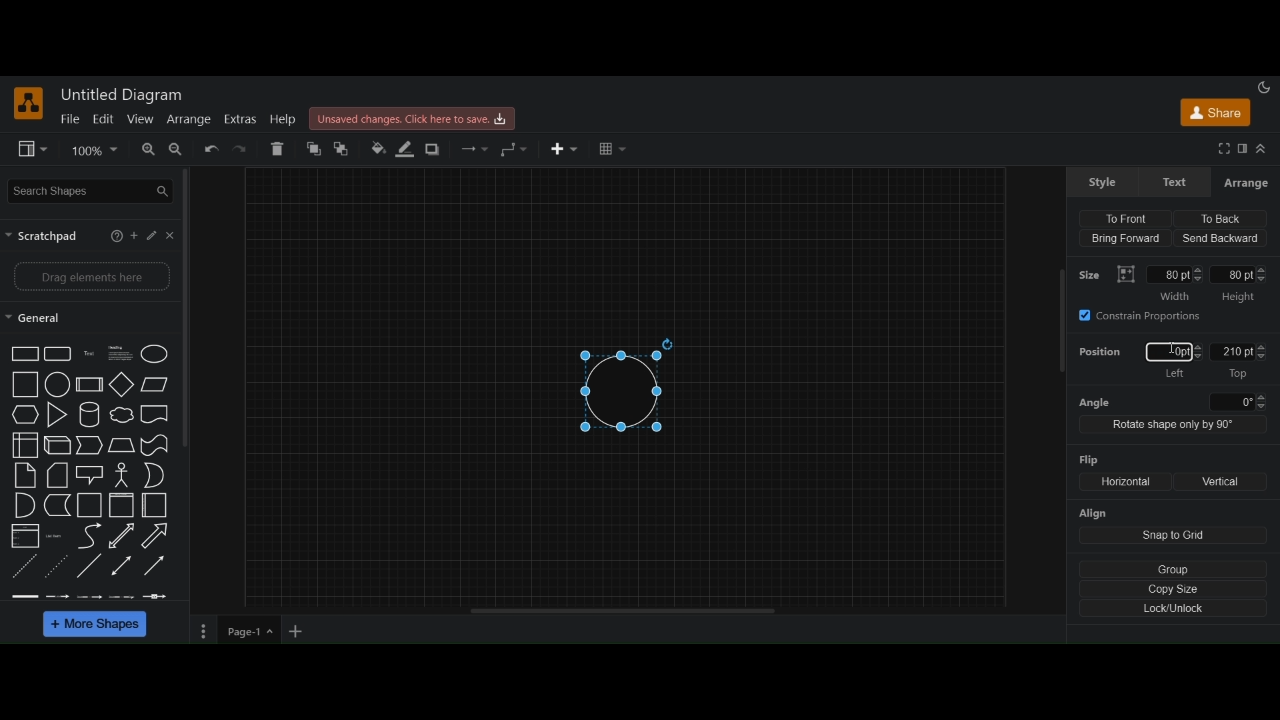  What do you see at coordinates (567, 149) in the screenshot?
I see `insert` at bounding box center [567, 149].